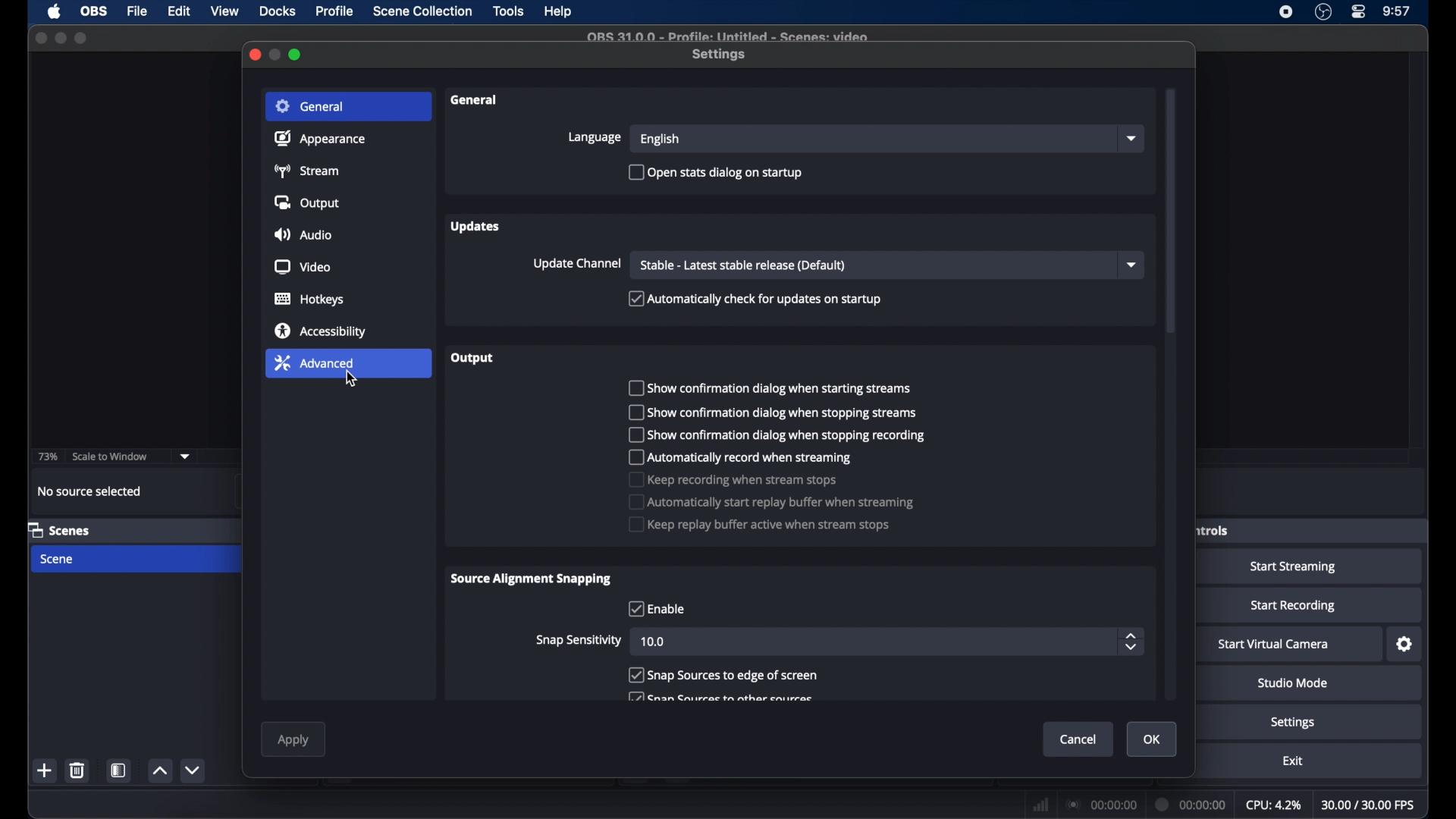 This screenshot has width=1456, height=819. I want to click on general, so click(312, 106).